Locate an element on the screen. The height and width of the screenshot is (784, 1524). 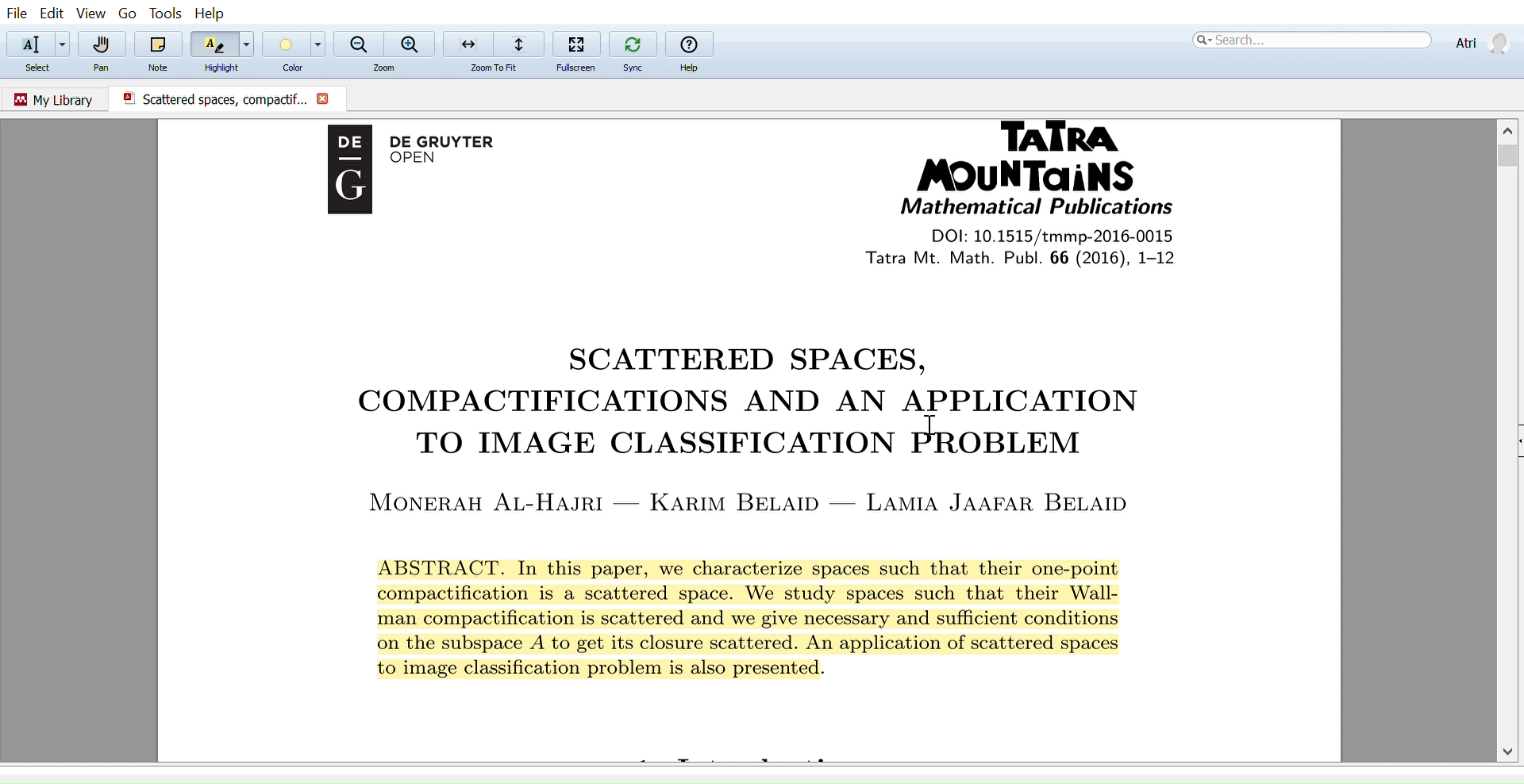
on the subspace A to get its closure scattererd. An application of scattered spaces is located at coordinates (771, 644).